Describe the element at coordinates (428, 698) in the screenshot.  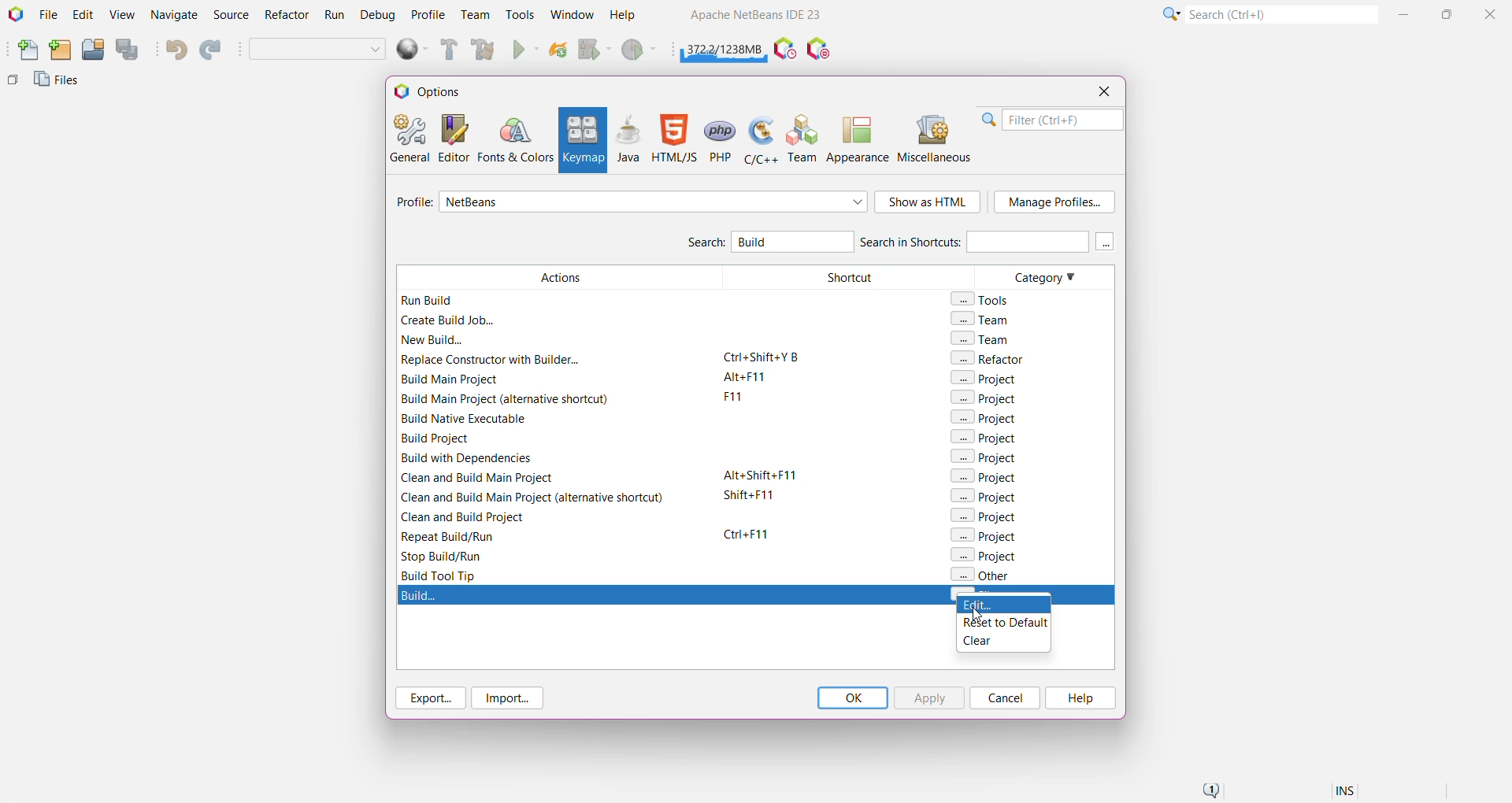
I see `Export` at that location.